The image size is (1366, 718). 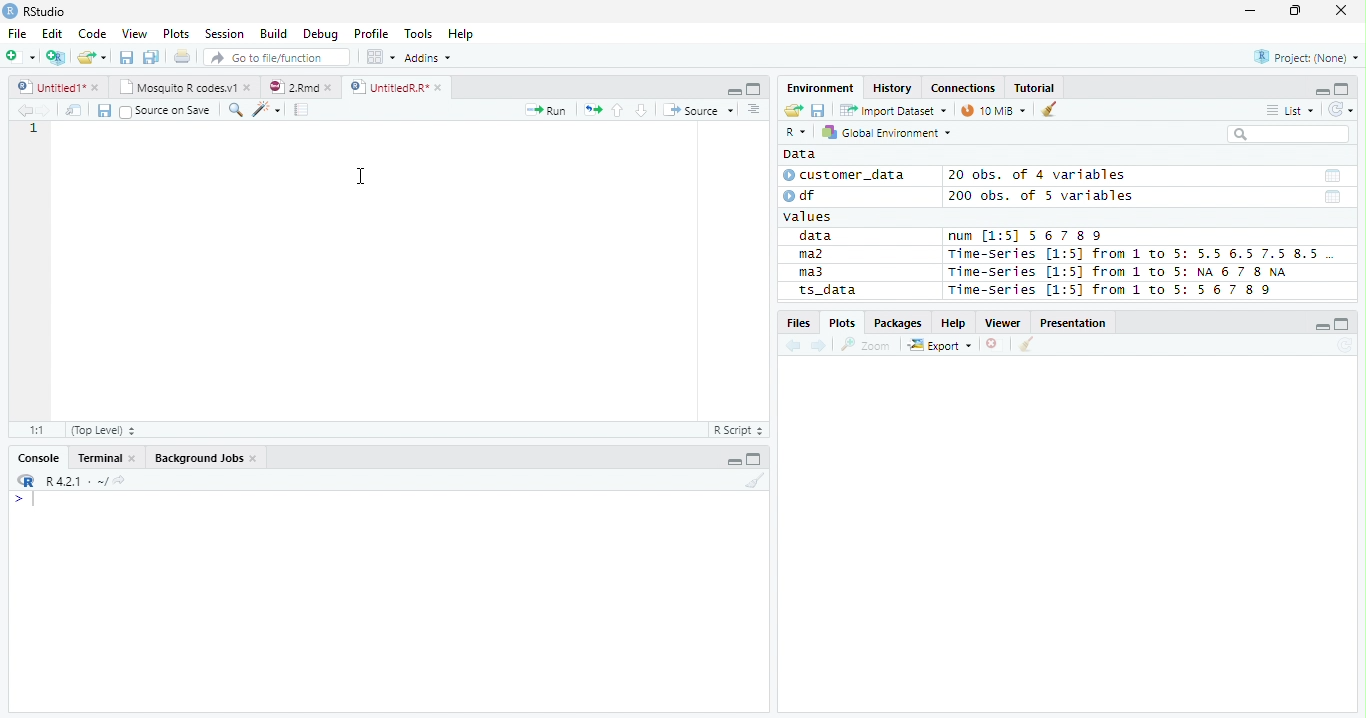 I want to click on Source, so click(x=696, y=110).